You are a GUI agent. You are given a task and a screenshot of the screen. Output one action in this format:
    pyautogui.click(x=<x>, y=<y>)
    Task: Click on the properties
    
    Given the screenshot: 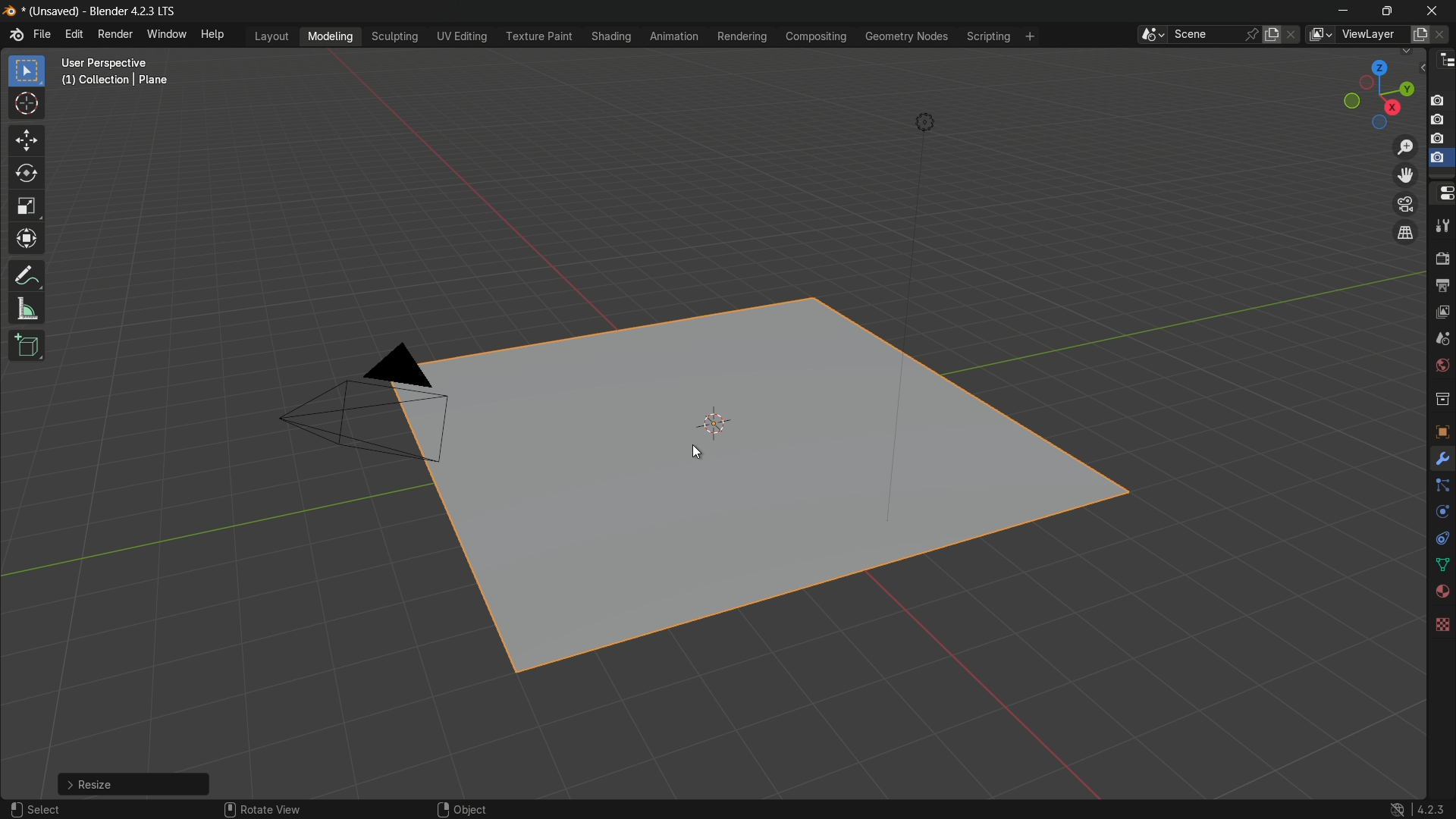 What is the action you would take?
    pyautogui.click(x=1443, y=191)
    